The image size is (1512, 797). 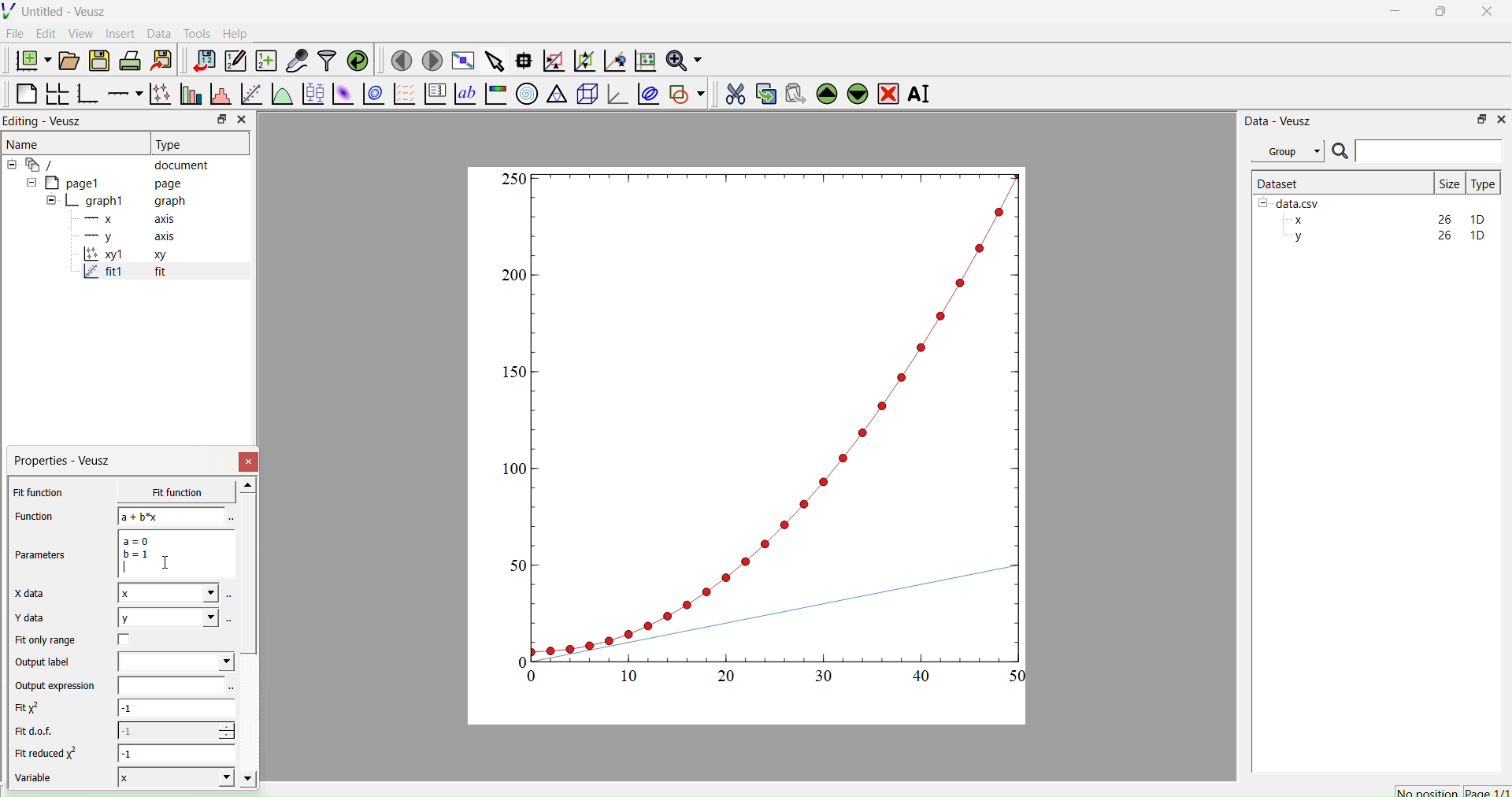 What do you see at coordinates (762, 92) in the screenshot?
I see `Copy` at bounding box center [762, 92].